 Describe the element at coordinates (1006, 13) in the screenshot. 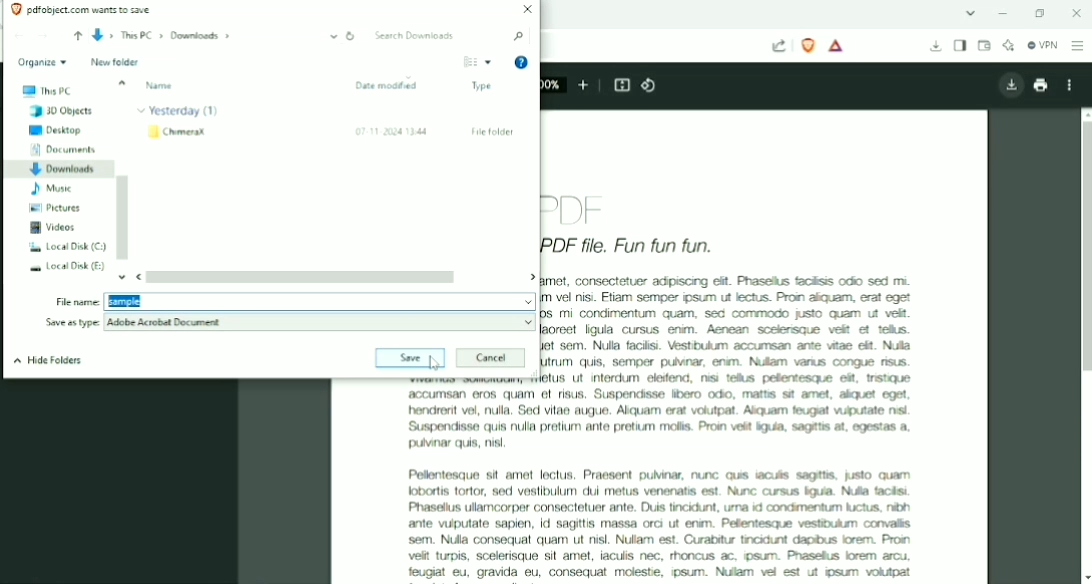

I see `Minimize` at that location.